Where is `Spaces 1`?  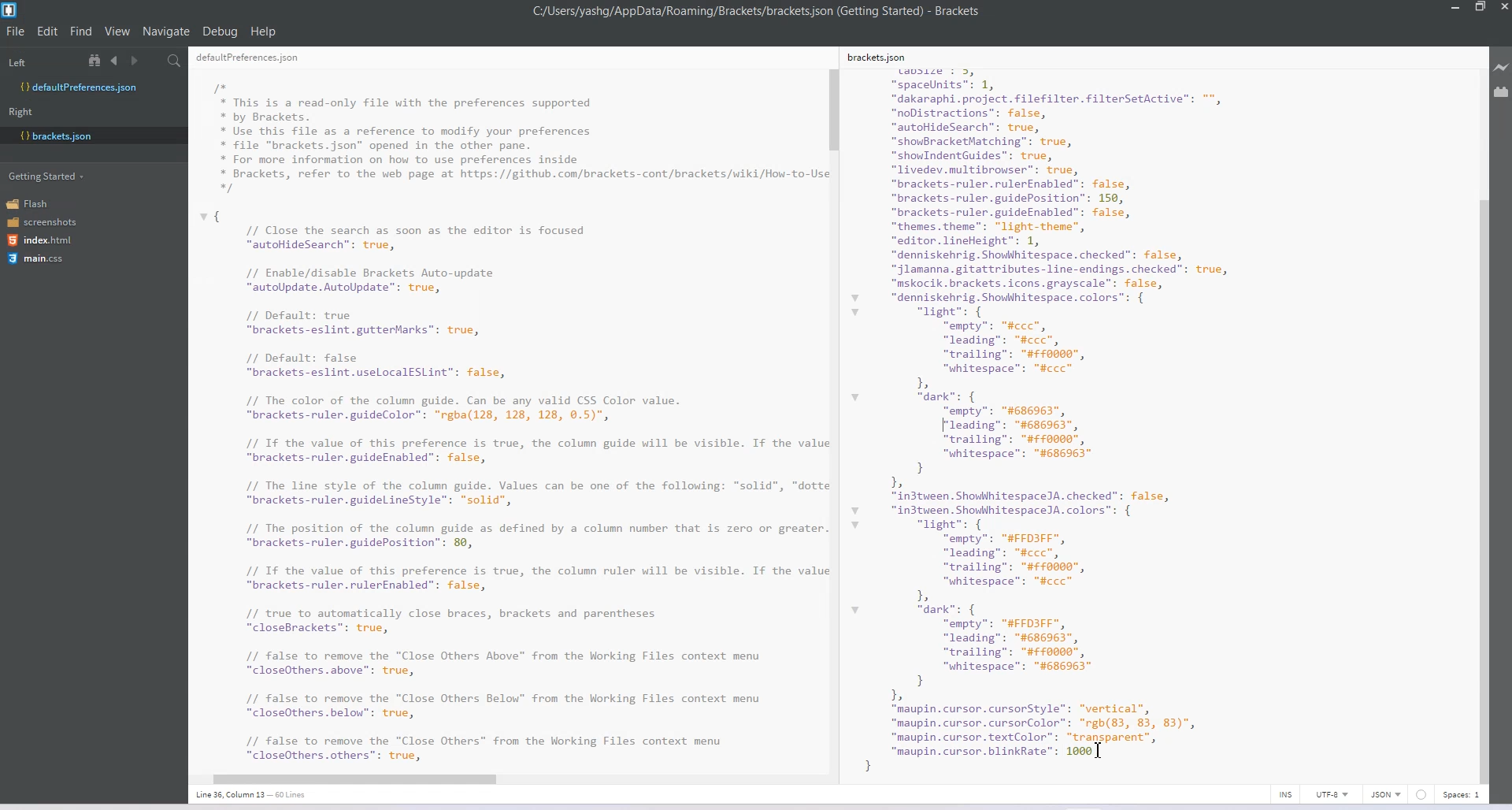 Spaces 1 is located at coordinates (1462, 795).